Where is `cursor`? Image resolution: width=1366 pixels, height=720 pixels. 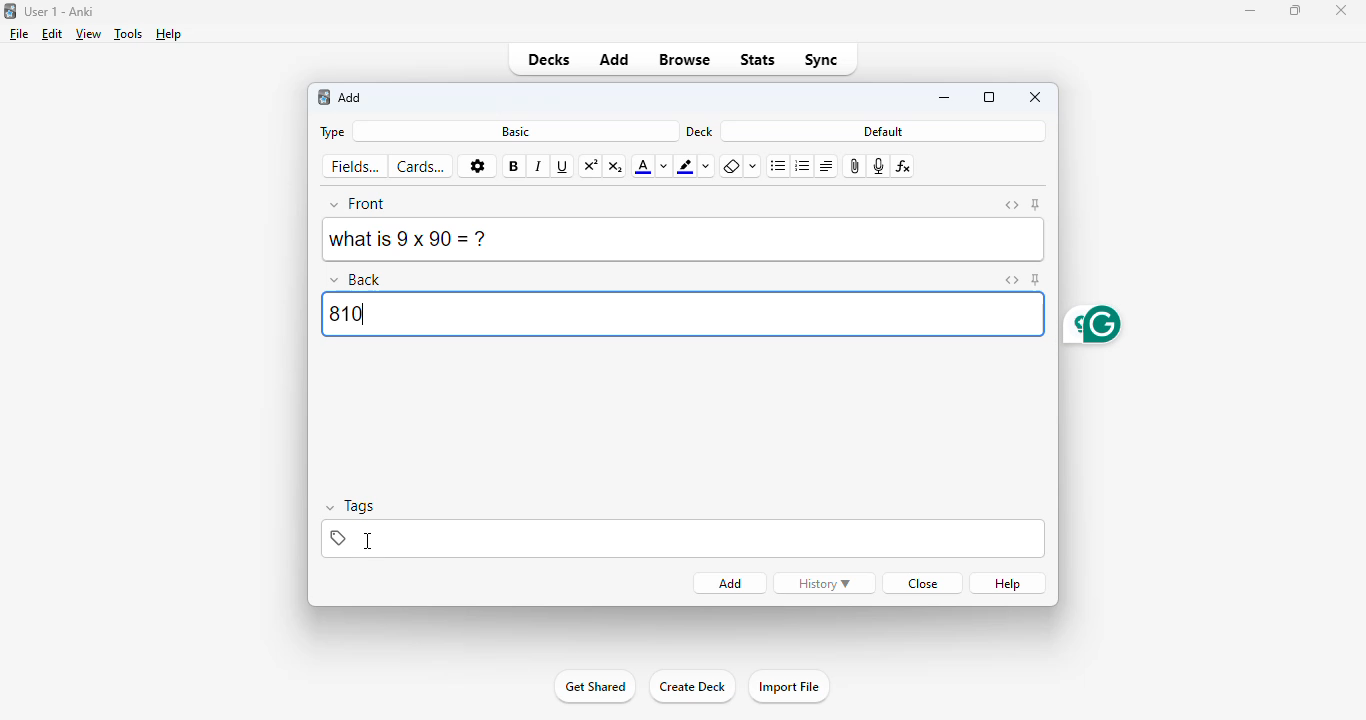
cursor is located at coordinates (370, 542).